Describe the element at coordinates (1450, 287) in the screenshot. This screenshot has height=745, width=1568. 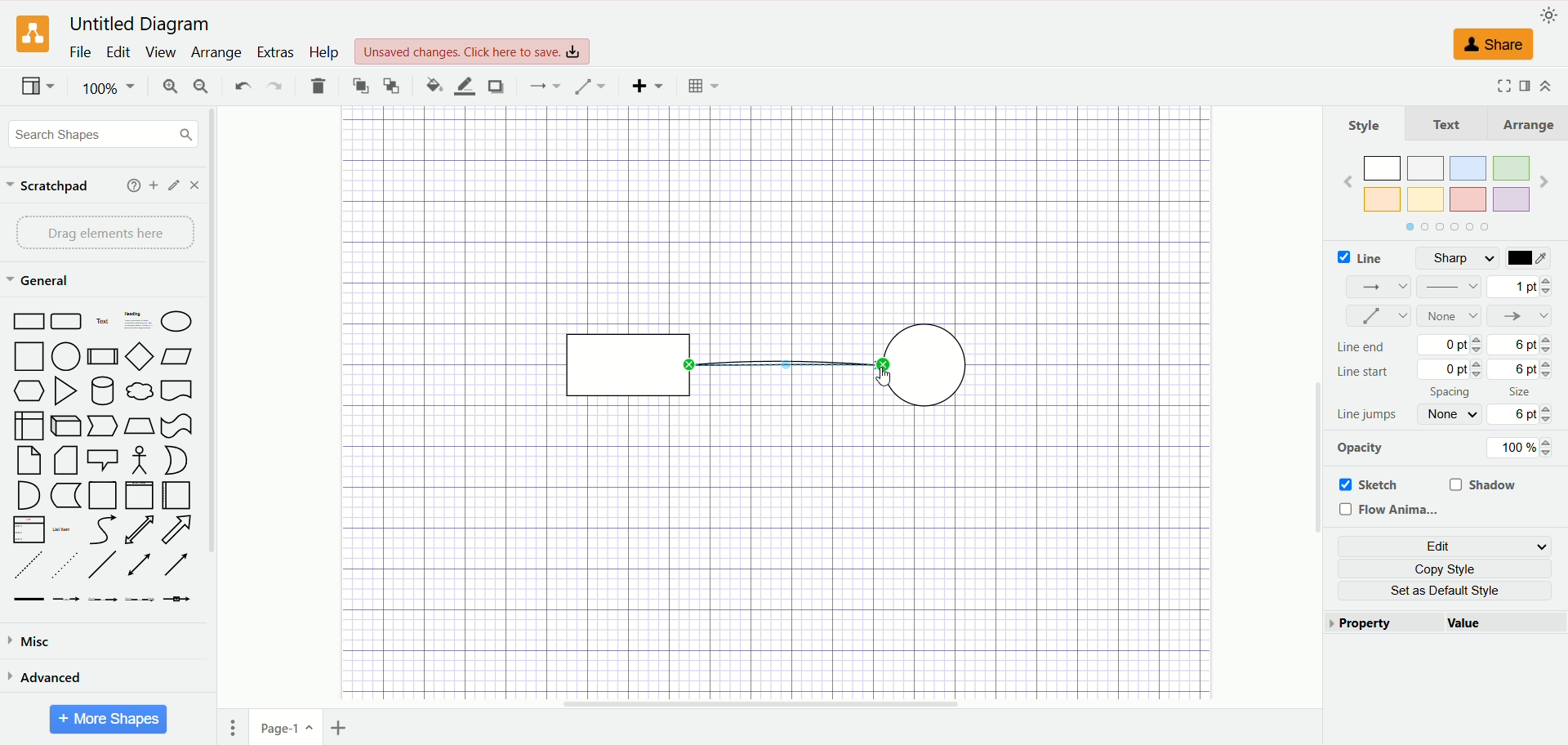
I see `pattern` at that location.